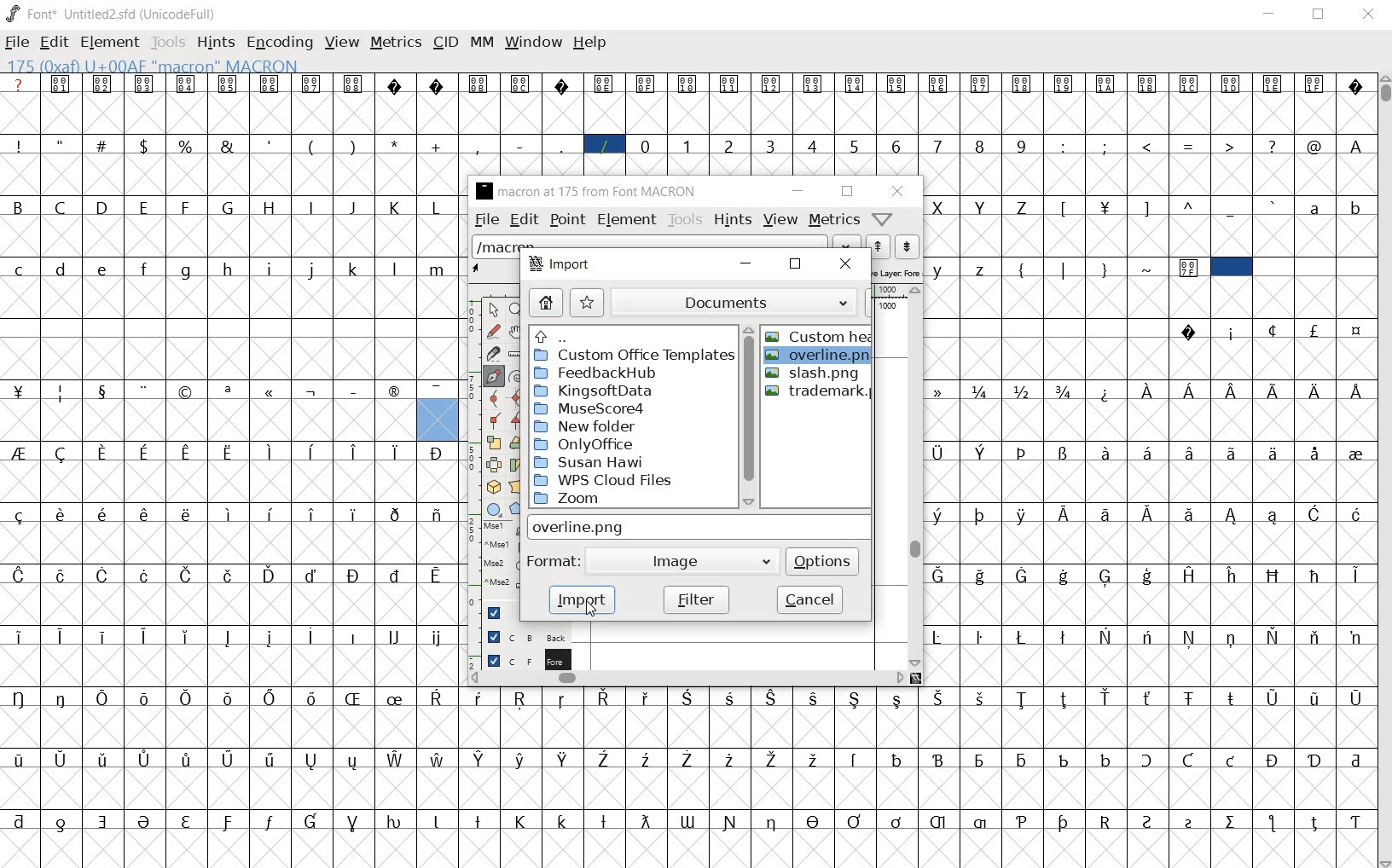  What do you see at coordinates (63, 635) in the screenshot?
I see `Symbol` at bounding box center [63, 635].